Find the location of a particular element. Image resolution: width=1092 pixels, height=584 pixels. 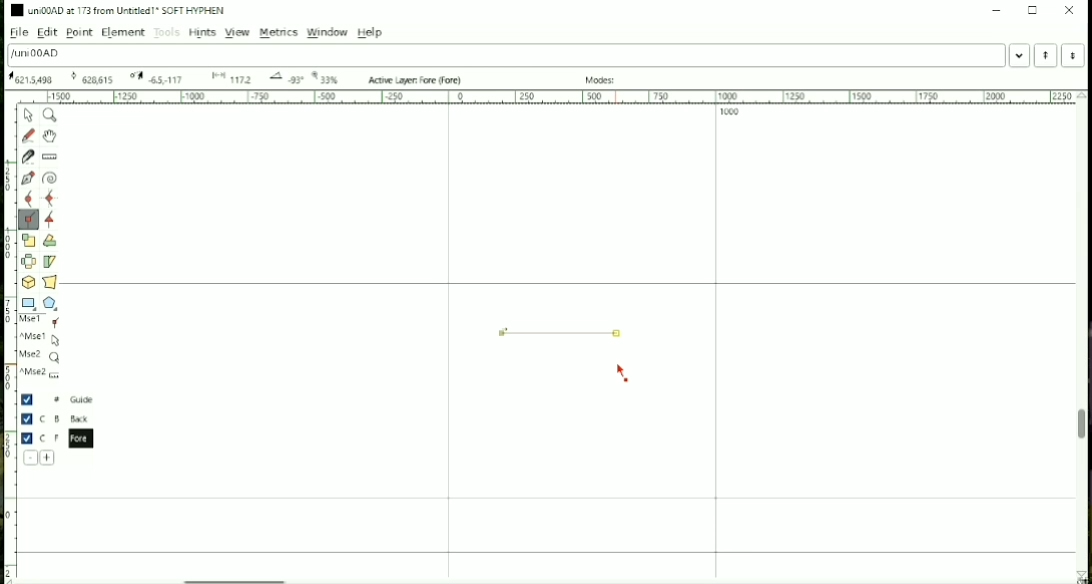

Hints is located at coordinates (202, 34).